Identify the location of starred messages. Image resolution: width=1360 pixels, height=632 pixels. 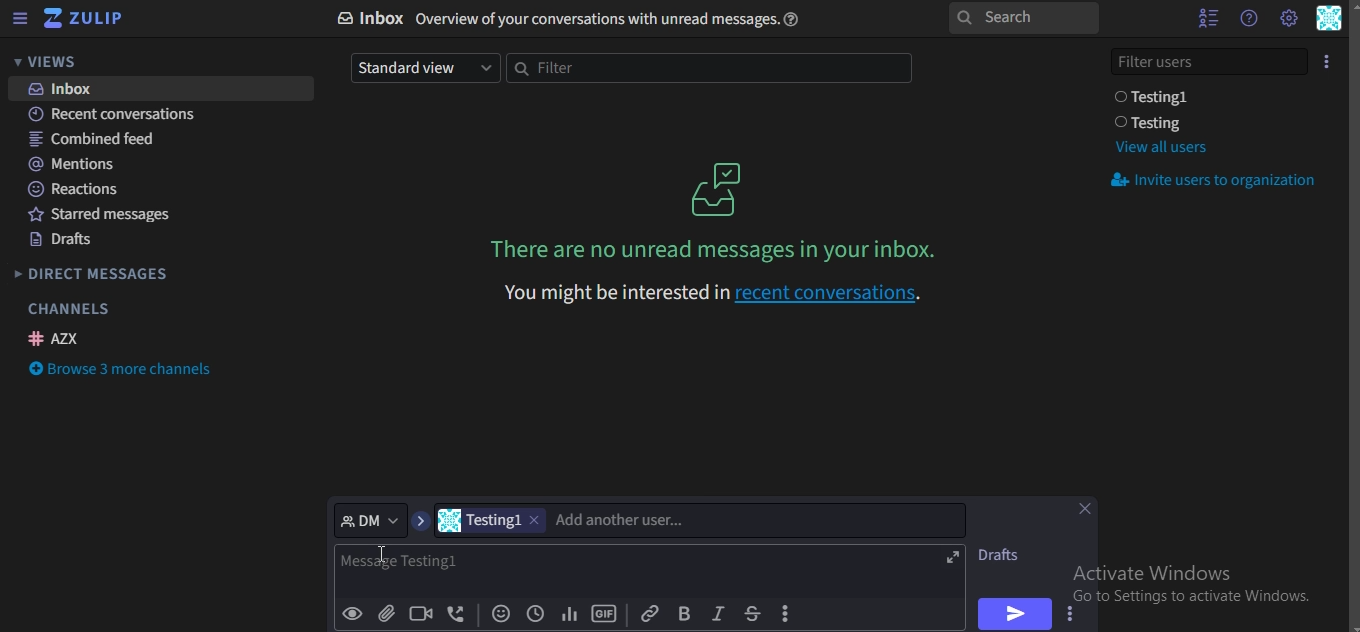
(108, 217).